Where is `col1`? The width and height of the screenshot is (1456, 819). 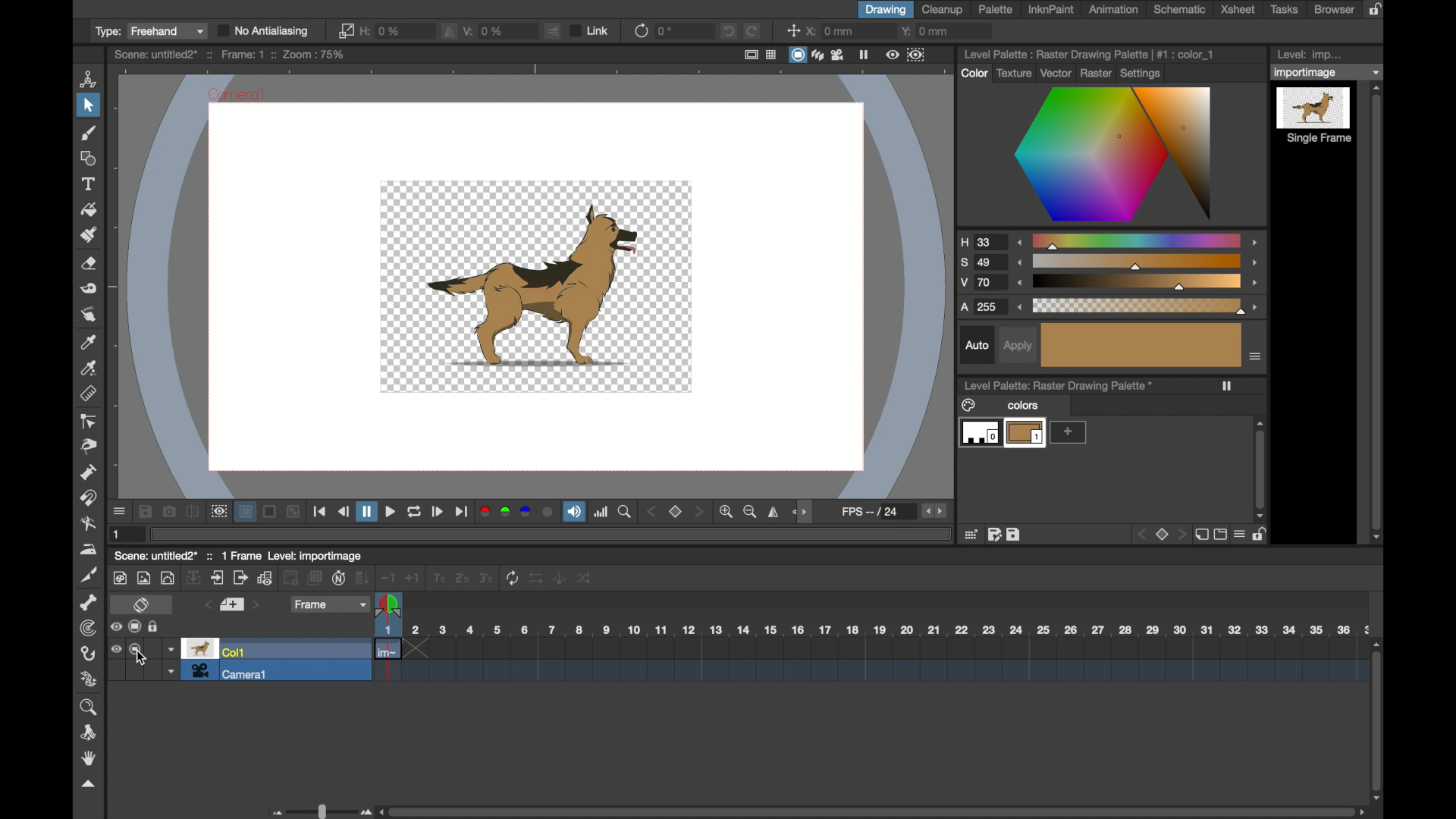 col1 is located at coordinates (217, 650).